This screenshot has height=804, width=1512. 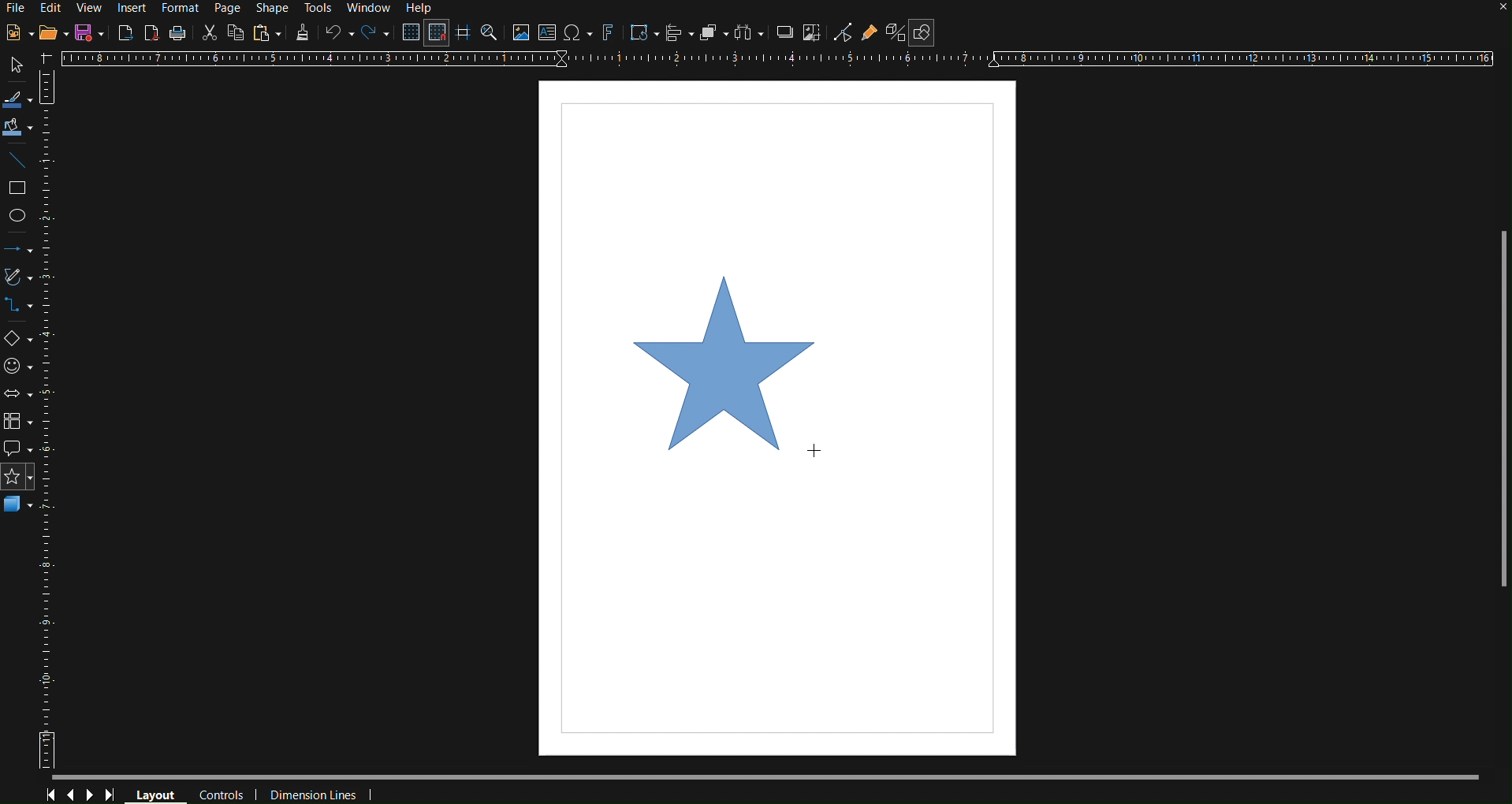 What do you see at coordinates (370, 7) in the screenshot?
I see `Window` at bounding box center [370, 7].